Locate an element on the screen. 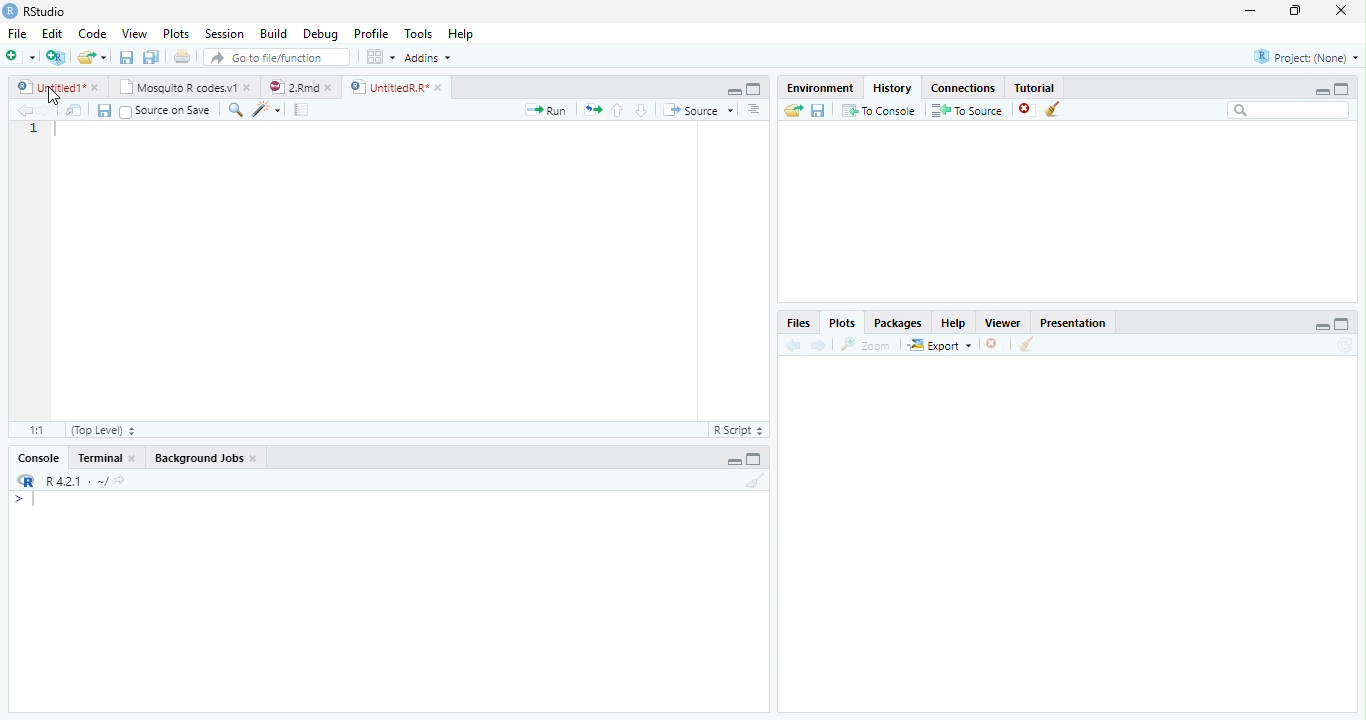 This screenshot has height=720, width=1366. Create a project is located at coordinates (55, 57).